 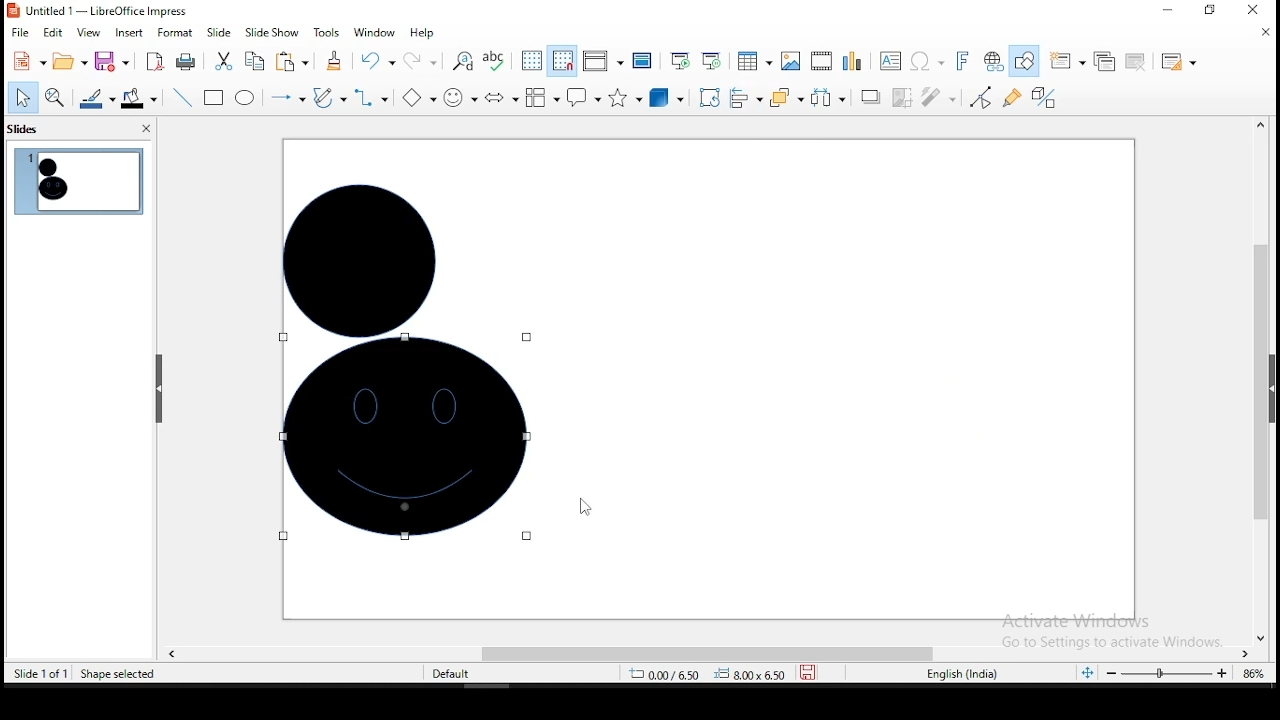 What do you see at coordinates (542, 100) in the screenshot?
I see `flowchart` at bounding box center [542, 100].